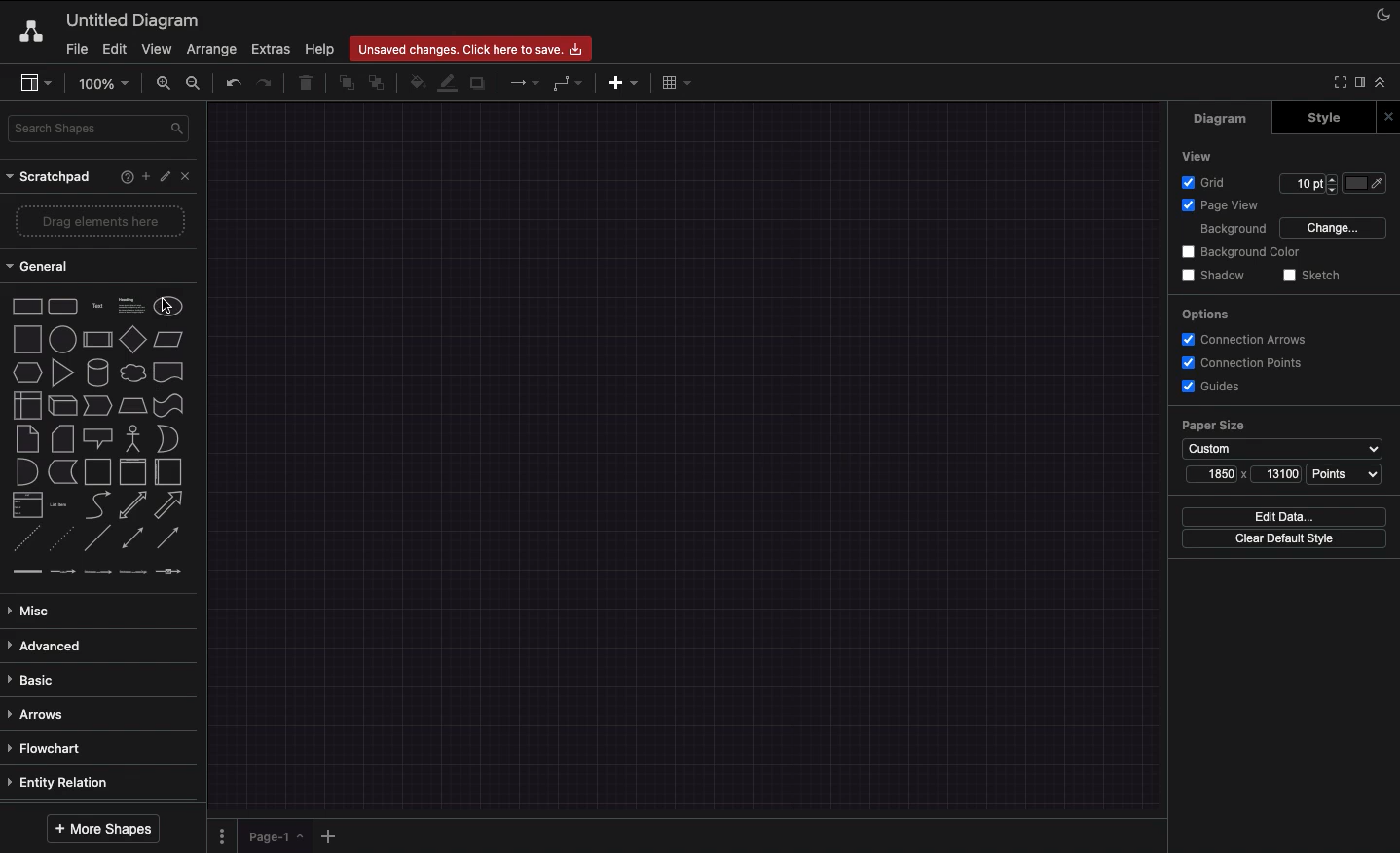  Describe the element at coordinates (123, 176) in the screenshot. I see `Help` at that location.